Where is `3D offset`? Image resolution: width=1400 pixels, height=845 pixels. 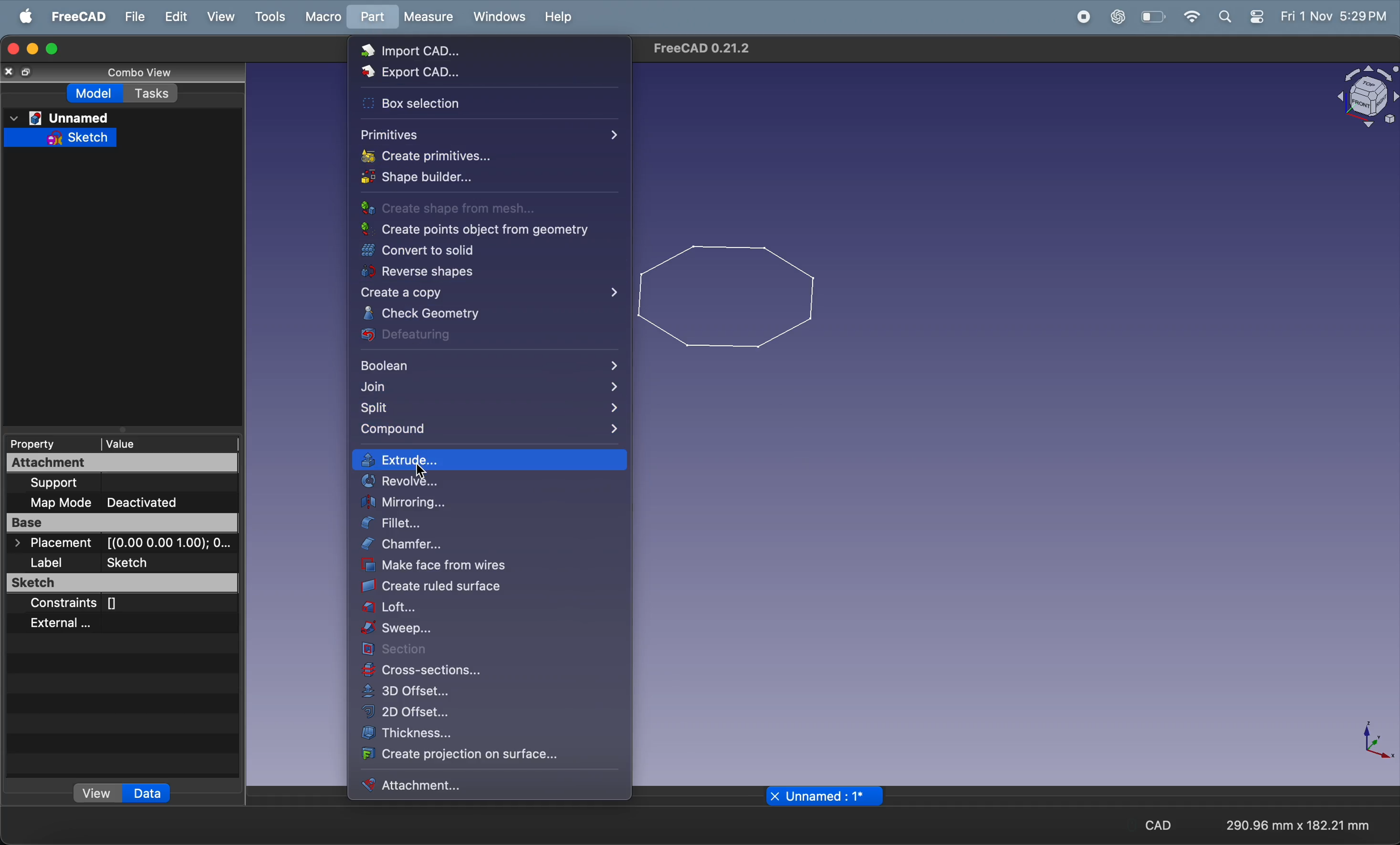
3D offset is located at coordinates (493, 693).